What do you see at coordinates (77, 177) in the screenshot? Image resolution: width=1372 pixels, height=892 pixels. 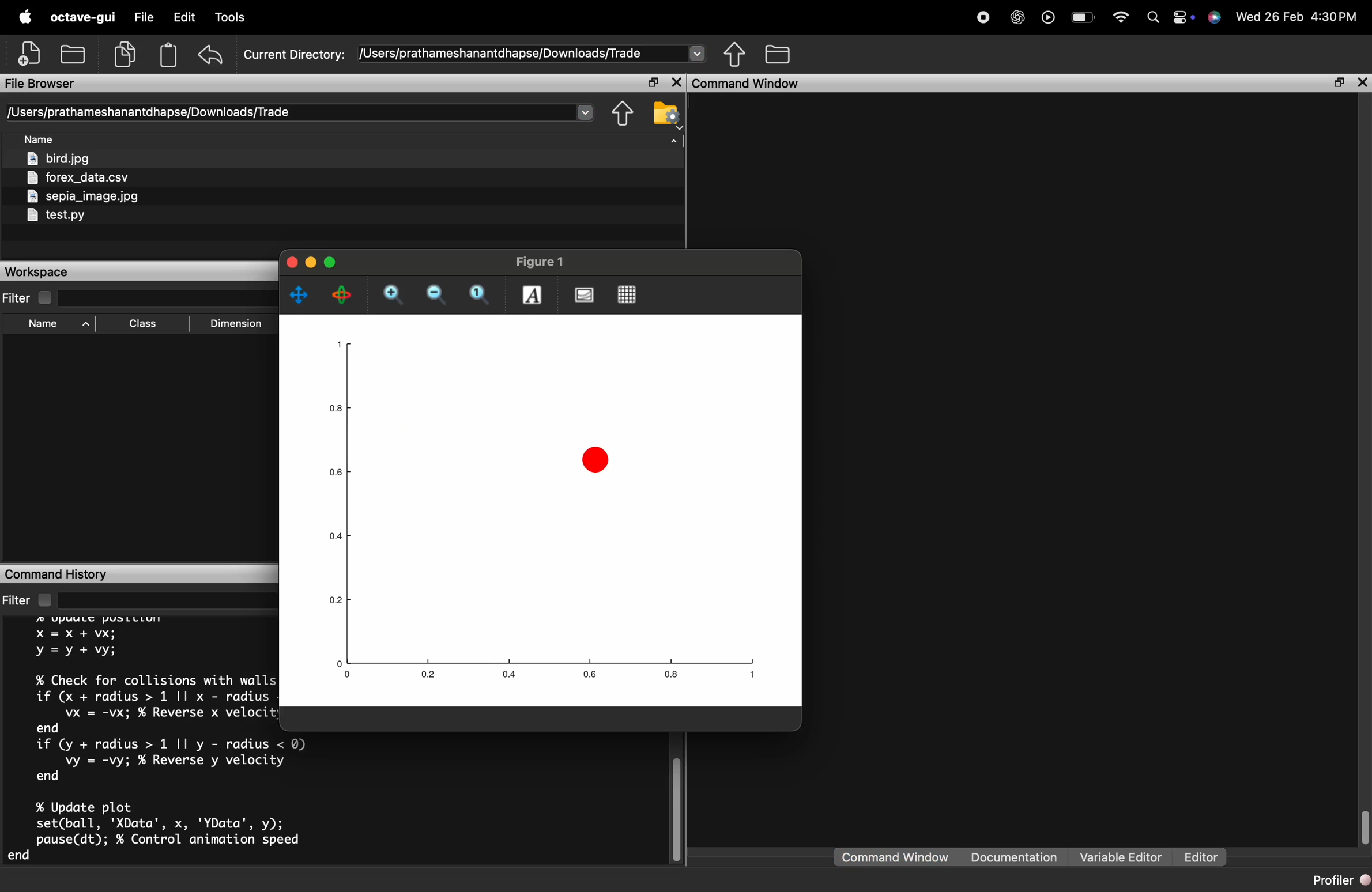 I see ` forex_data.csv` at bounding box center [77, 177].